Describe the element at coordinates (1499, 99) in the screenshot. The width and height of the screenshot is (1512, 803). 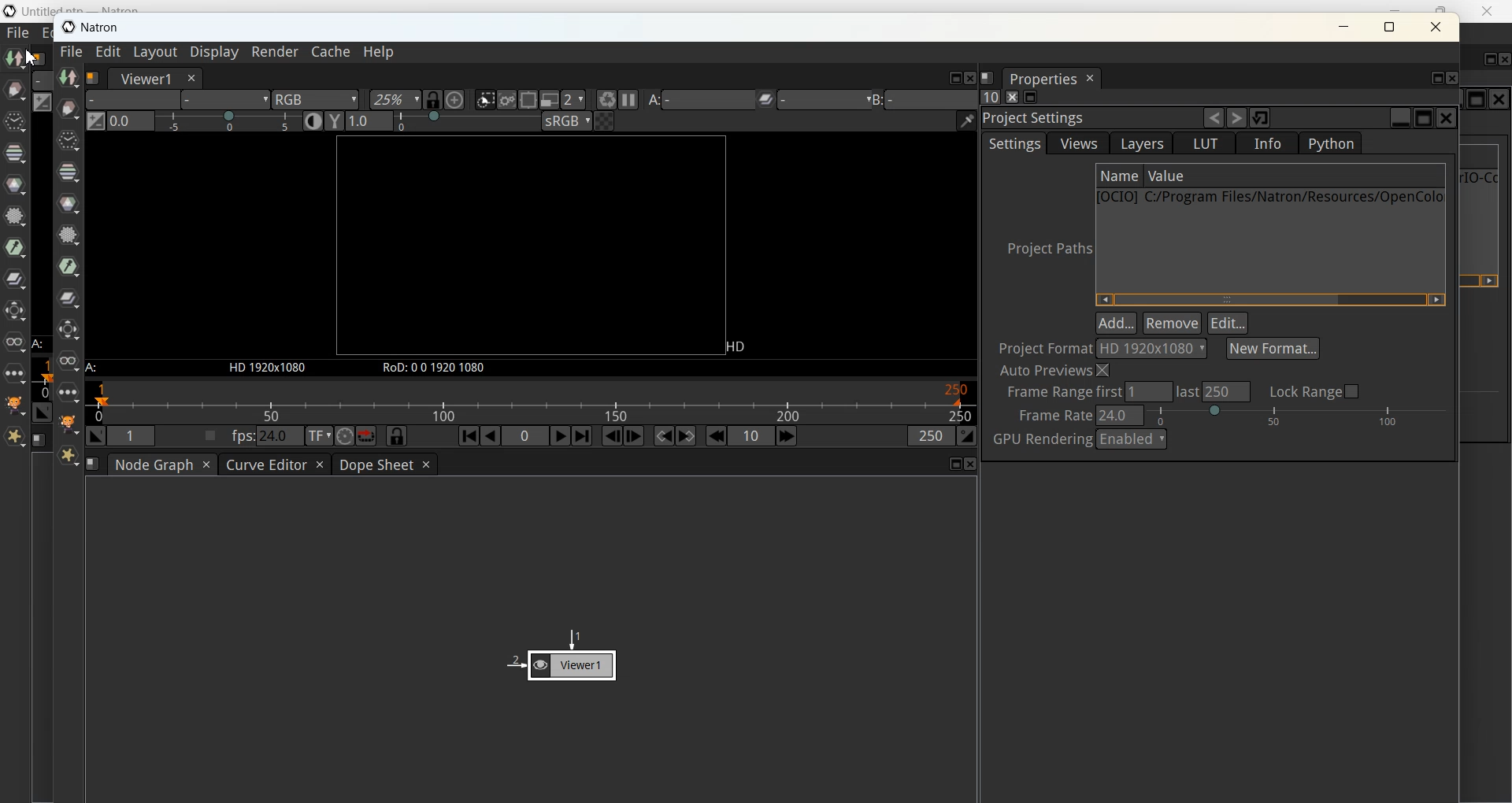
I see `Close` at that location.